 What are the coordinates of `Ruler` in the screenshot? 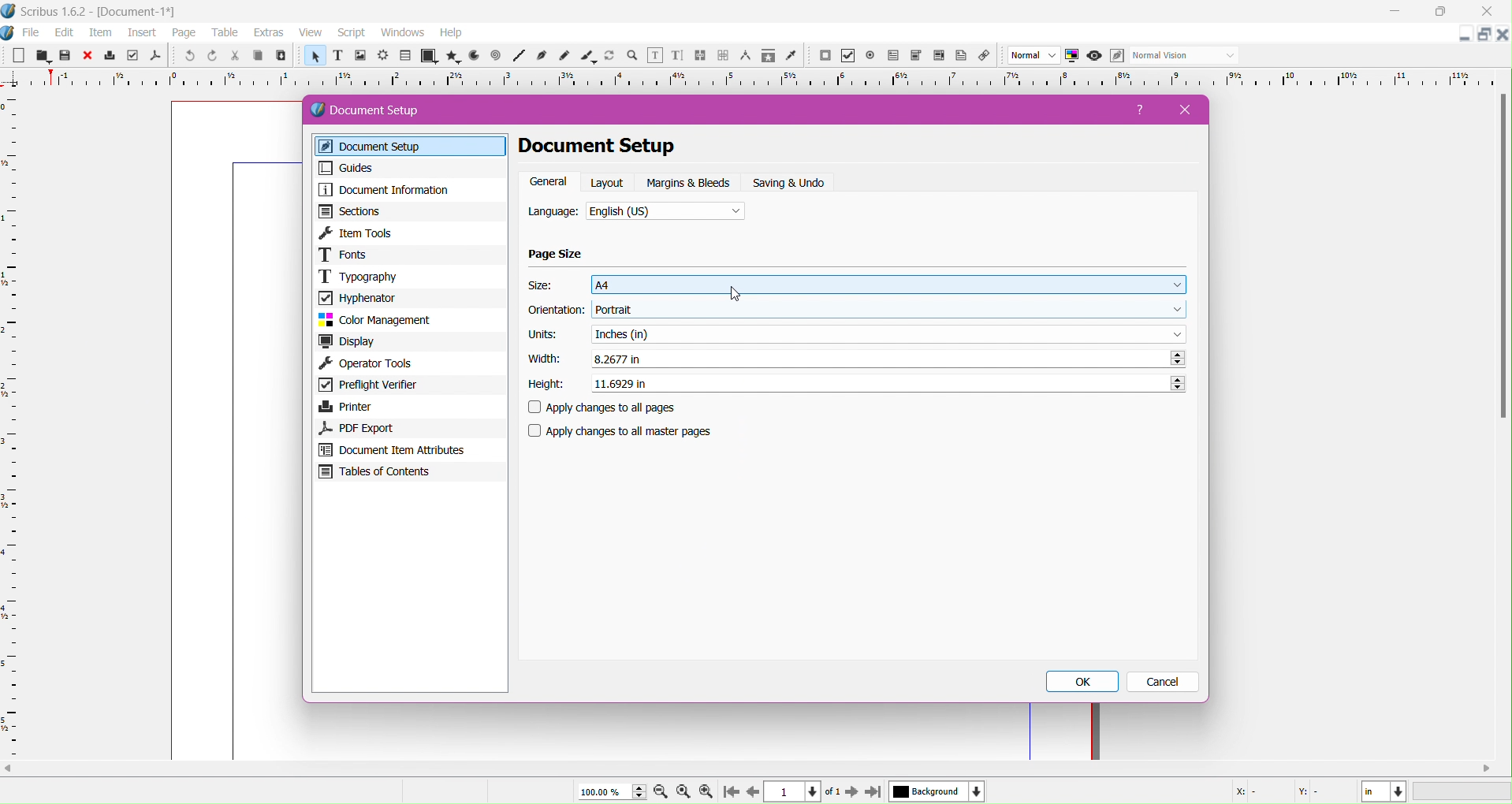 It's located at (11, 426).